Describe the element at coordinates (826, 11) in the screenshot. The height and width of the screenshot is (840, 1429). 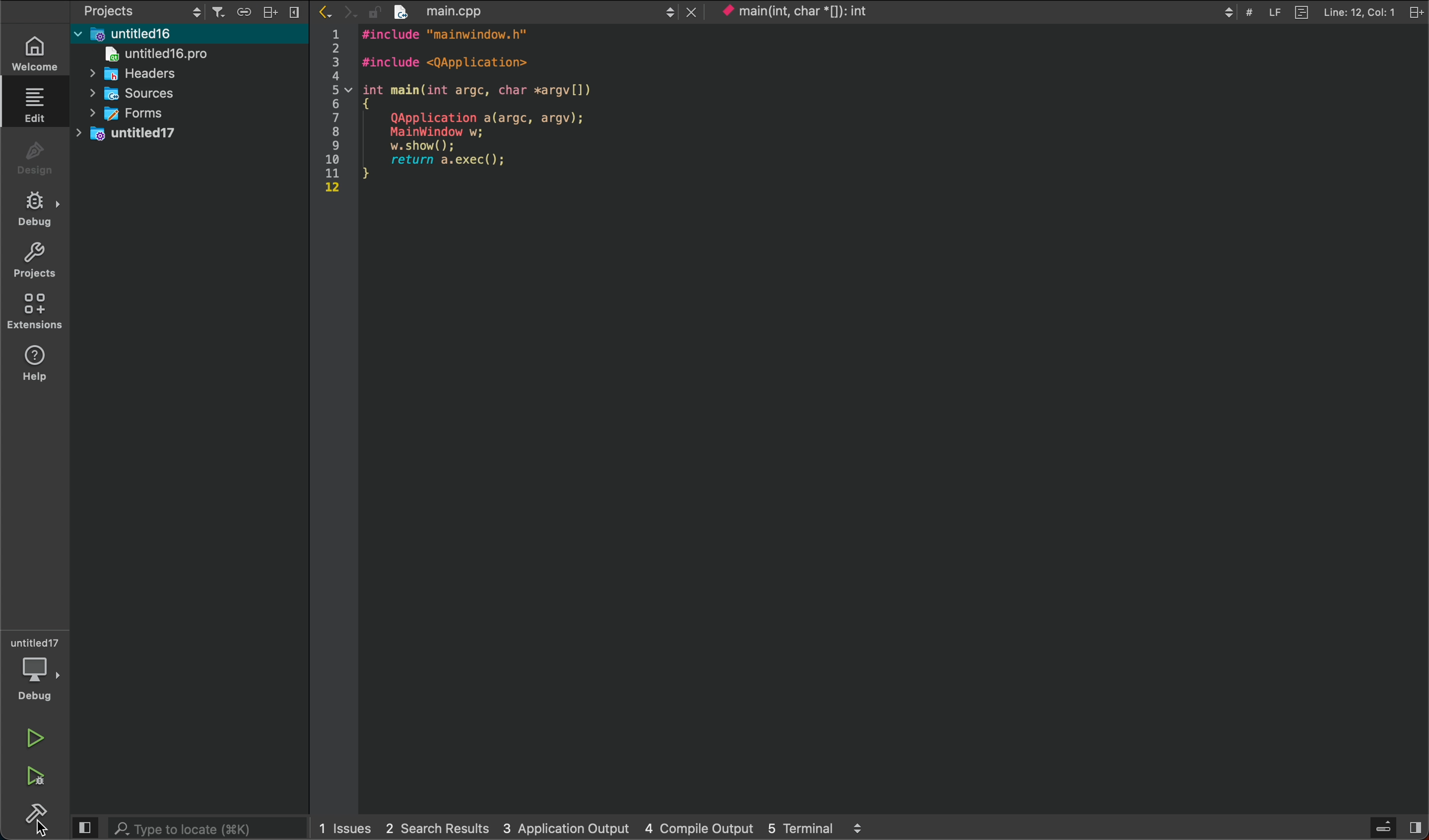
I see `main(int, char*); int` at that location.